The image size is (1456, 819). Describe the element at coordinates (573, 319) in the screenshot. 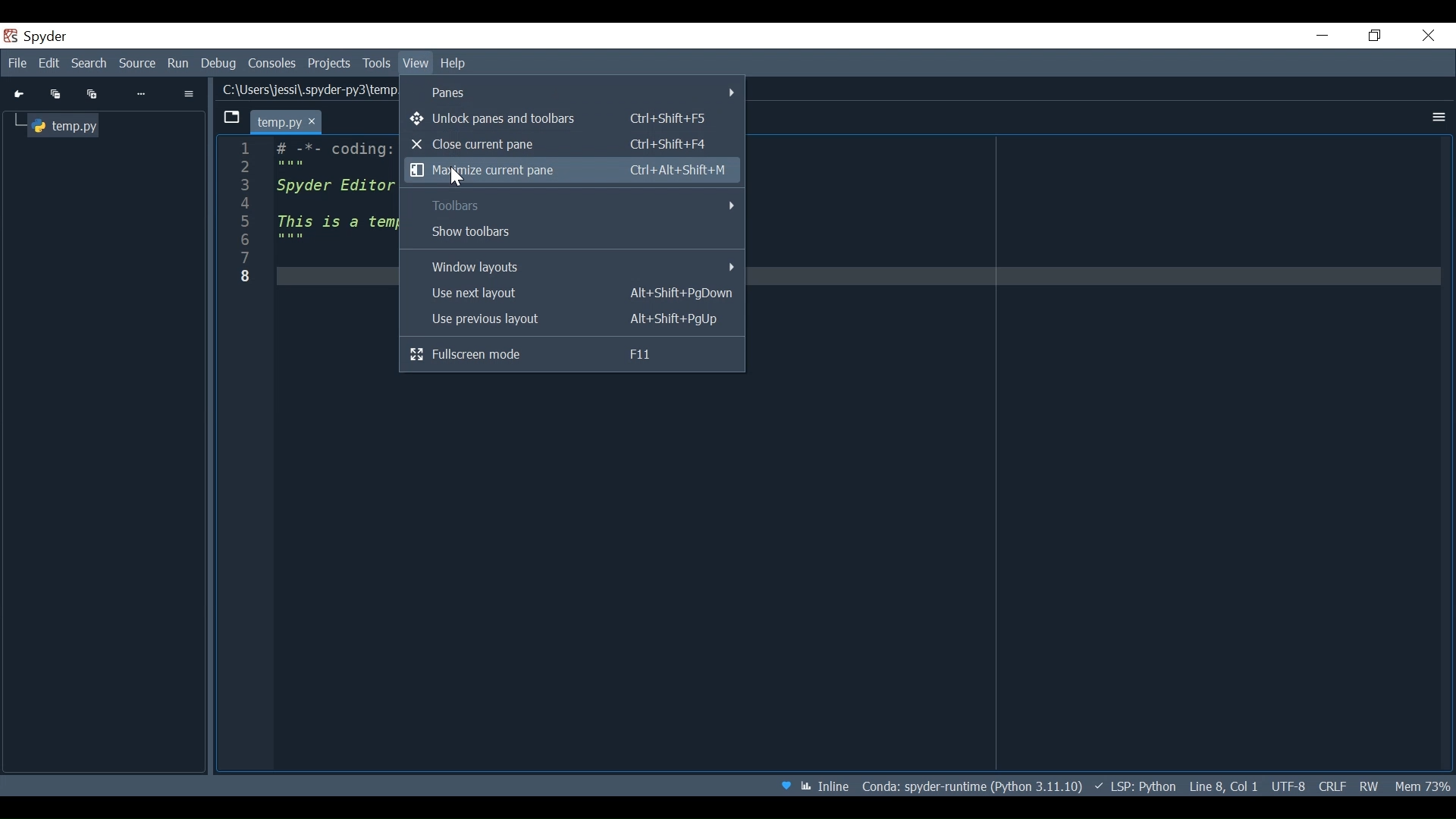

I see `Use previous layout` at that location.